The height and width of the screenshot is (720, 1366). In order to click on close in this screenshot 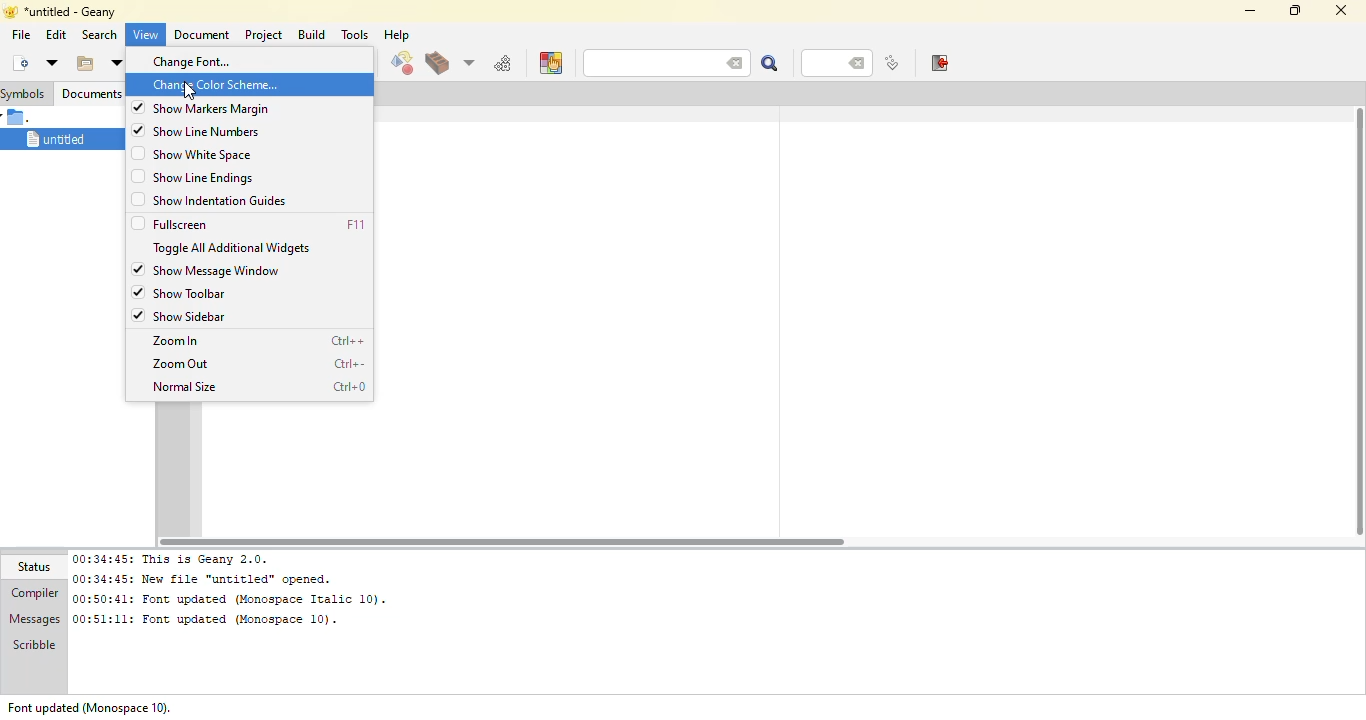, I will do `click(1342, 10)`.